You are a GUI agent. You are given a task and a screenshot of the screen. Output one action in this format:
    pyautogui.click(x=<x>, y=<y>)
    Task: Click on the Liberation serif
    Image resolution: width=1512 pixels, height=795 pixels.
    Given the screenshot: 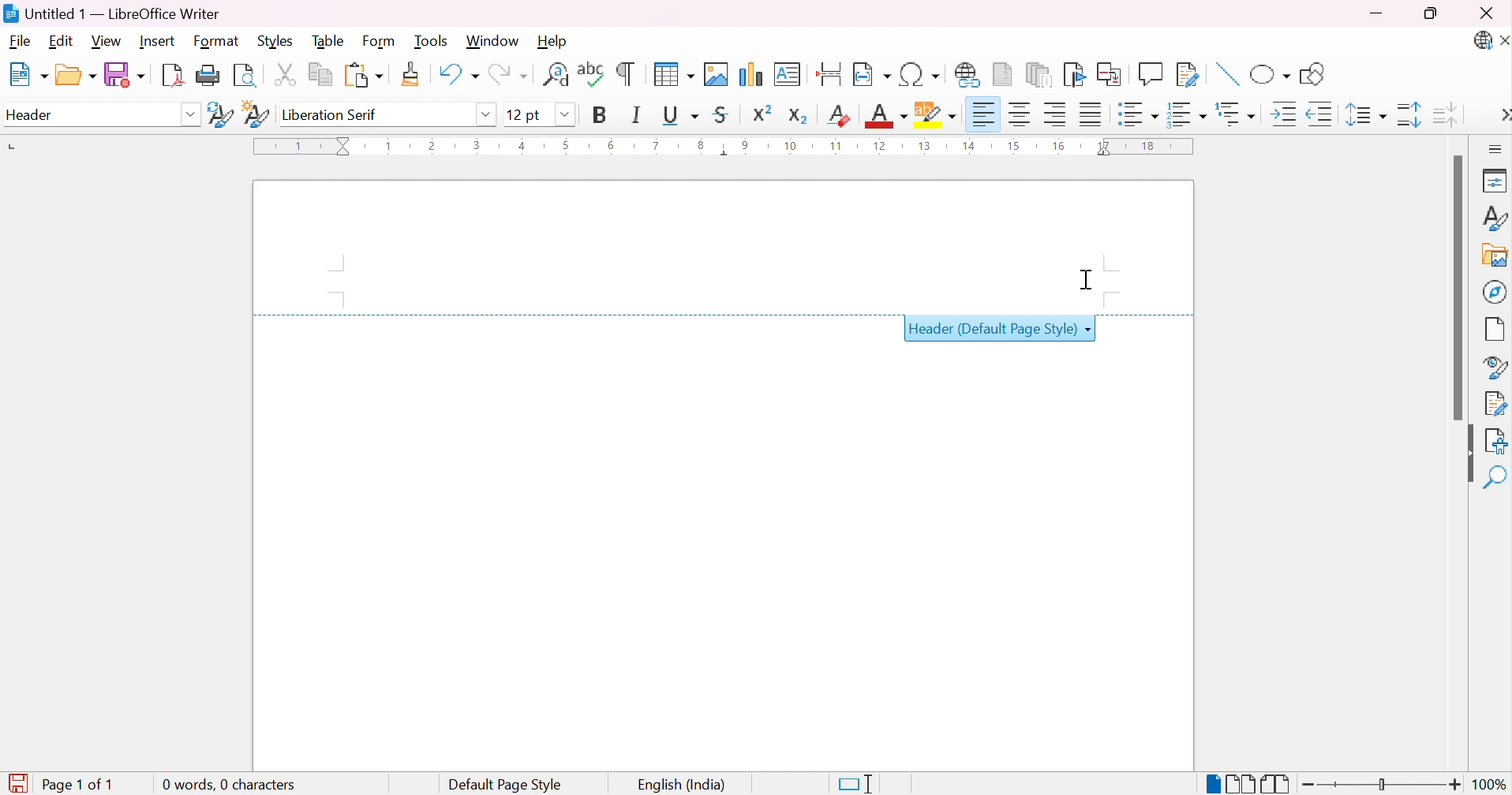 What is the action you would take?
    pyautogui.click(x=331, y=114)
    